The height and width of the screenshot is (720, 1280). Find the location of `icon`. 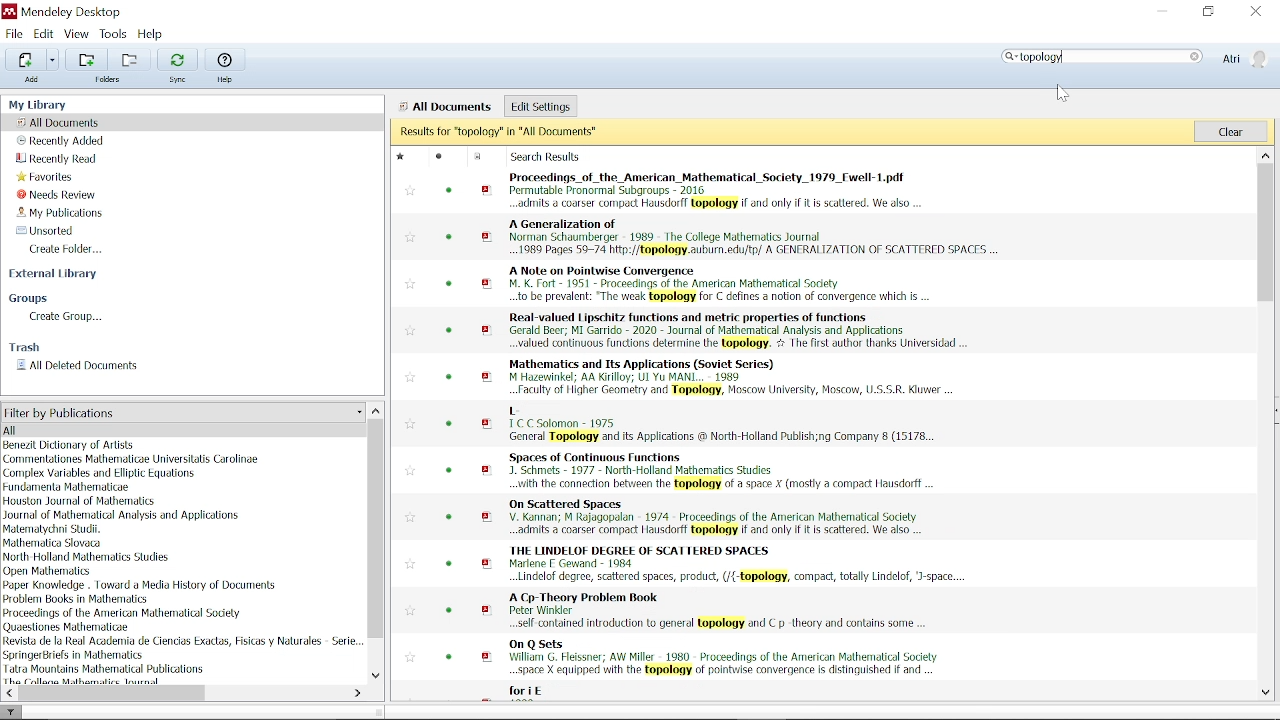

icon is located at coordinates (8, 12).